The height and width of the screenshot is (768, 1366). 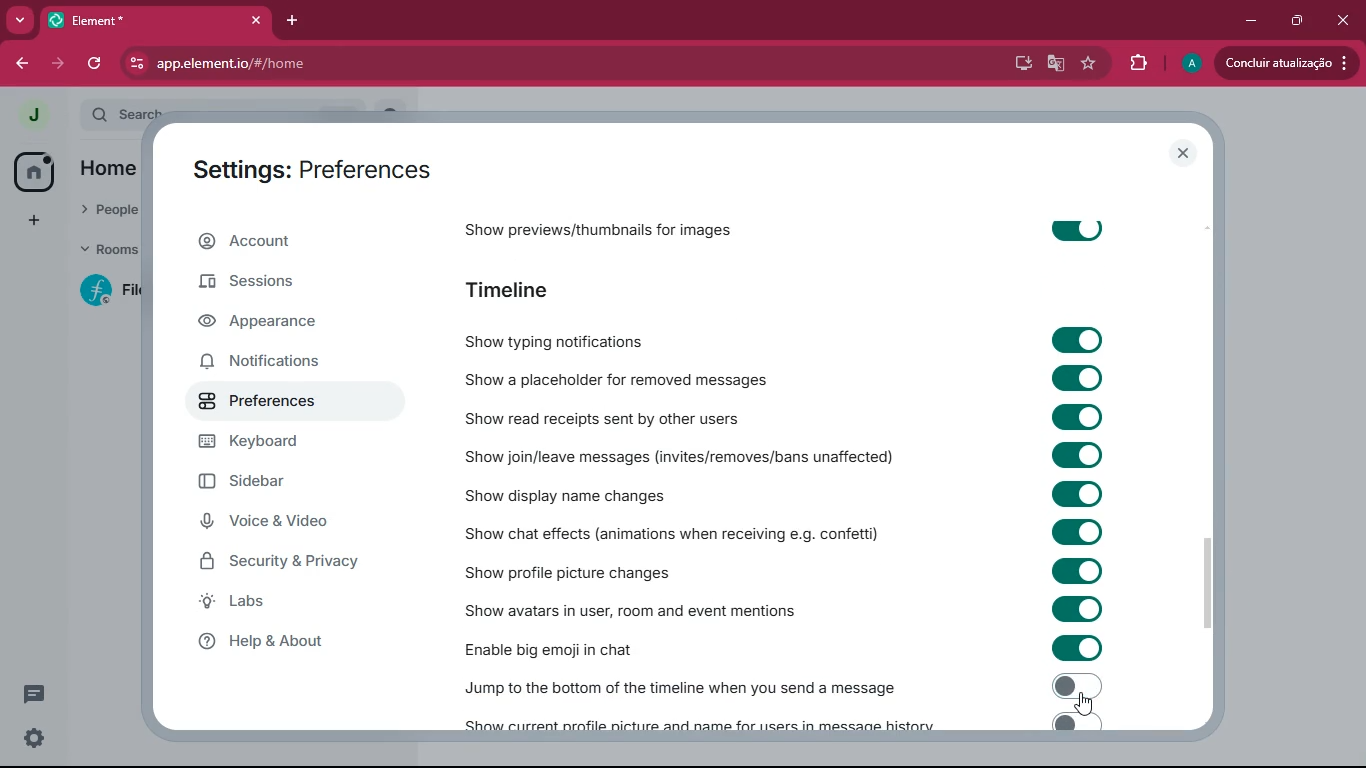 What do you see at coordinates (281, 400) in the screenshot?
I see `preferences` at bounding box center [281, 400].